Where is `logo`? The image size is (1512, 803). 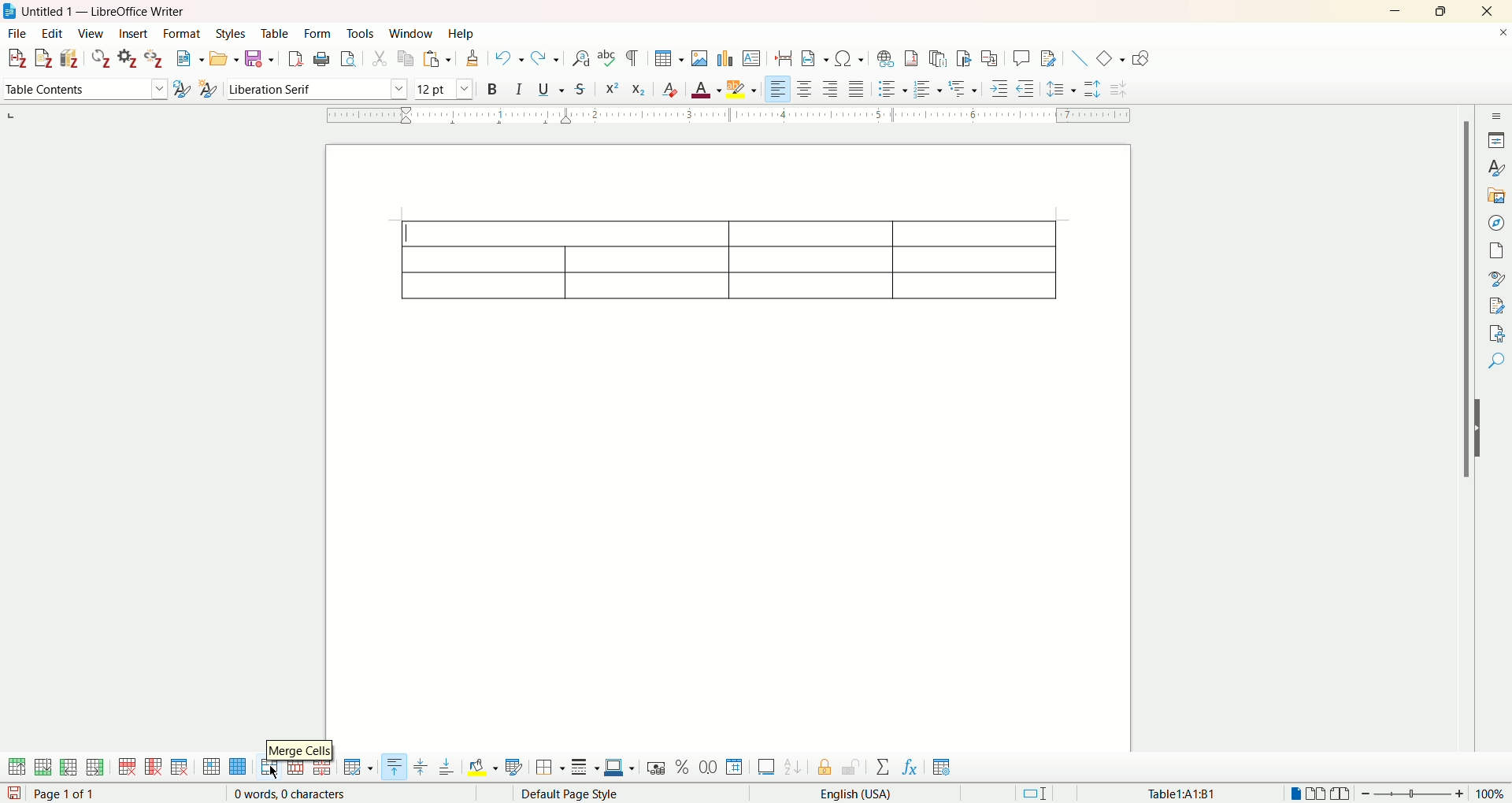
logo is located at coordinates (9, 10).